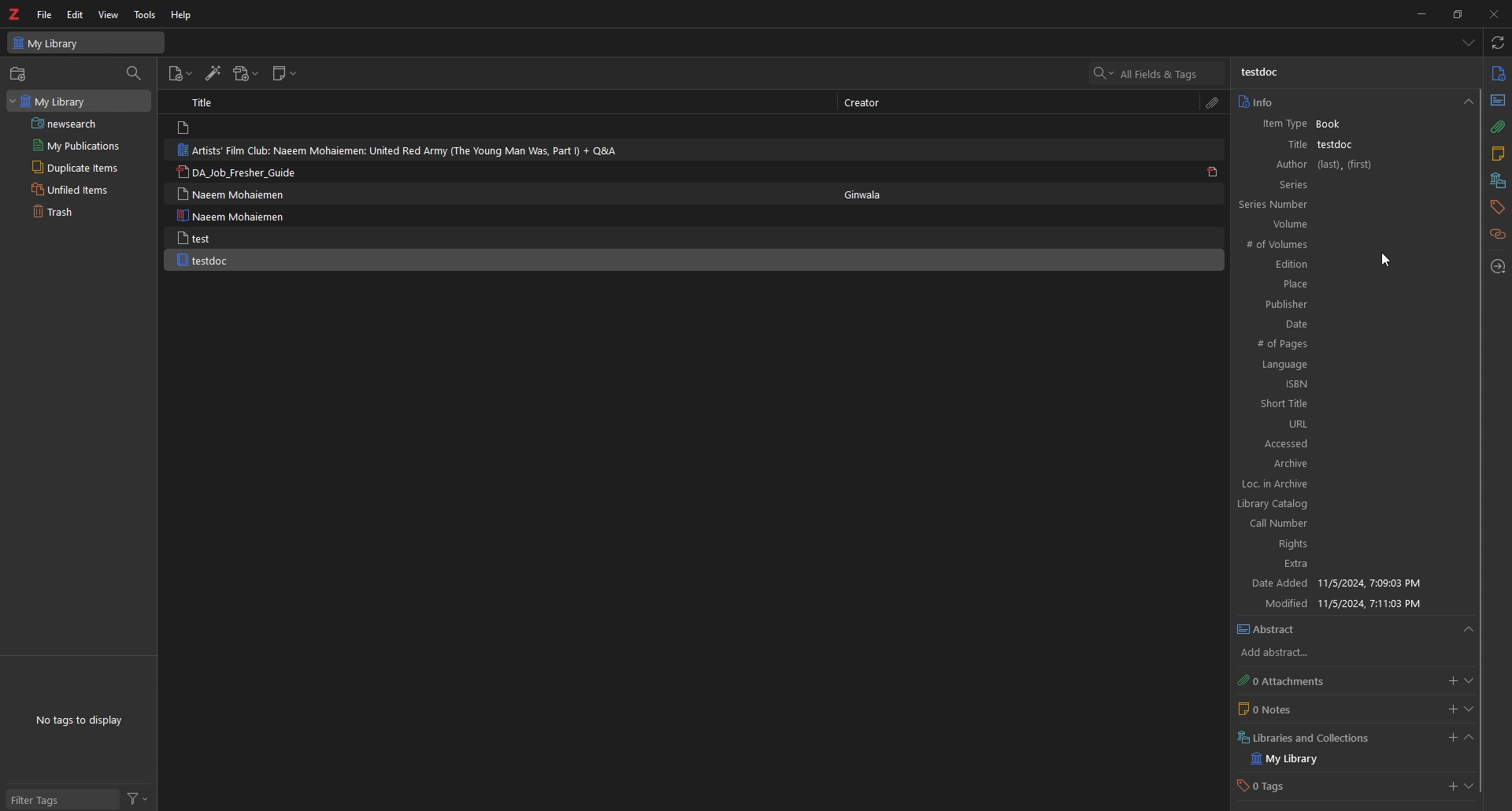 The image size is (1512, 811). I want to click on add Notes, so click(1449, 710).